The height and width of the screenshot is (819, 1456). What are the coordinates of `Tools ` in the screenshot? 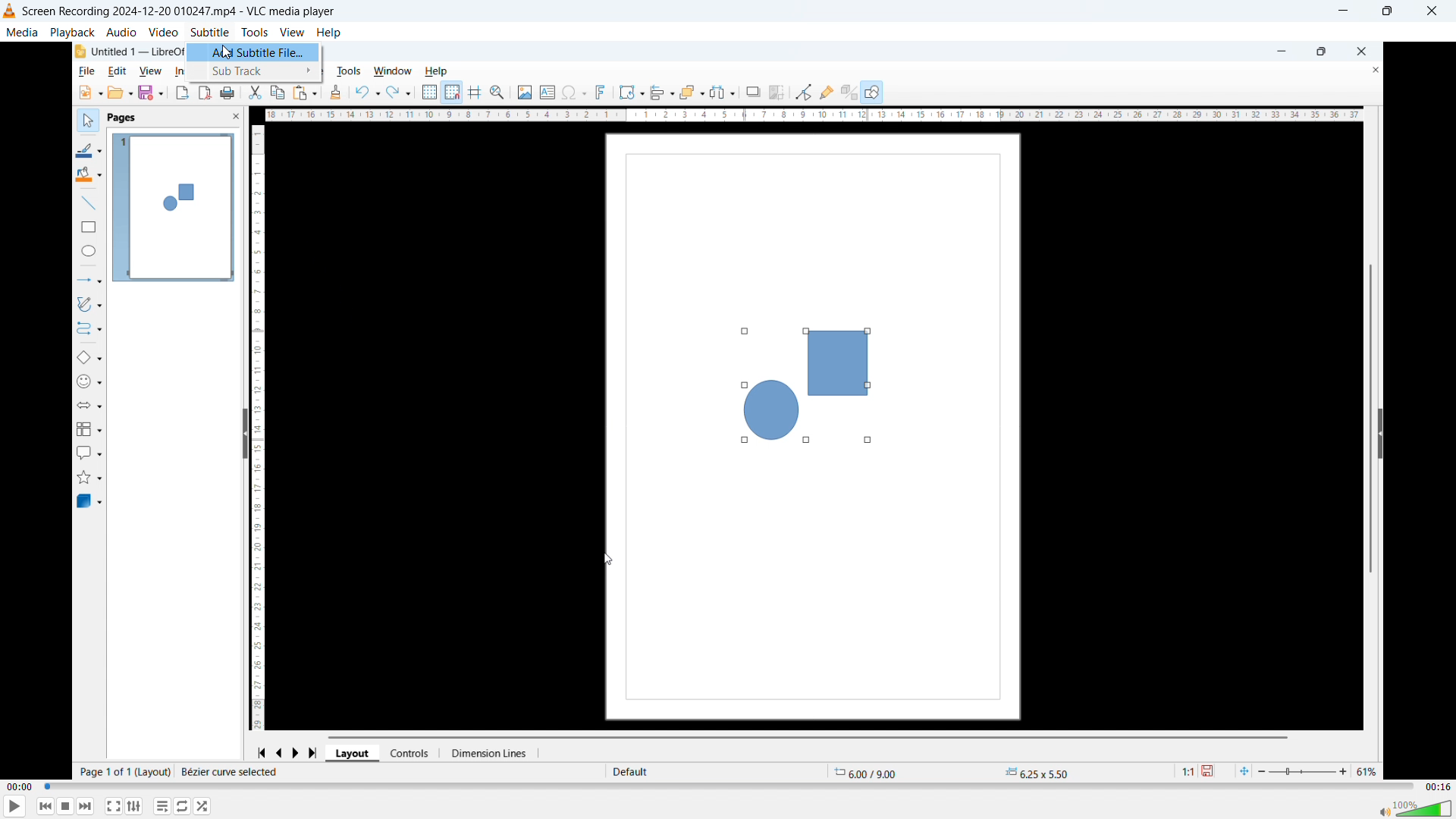 It's located at (255, 33).